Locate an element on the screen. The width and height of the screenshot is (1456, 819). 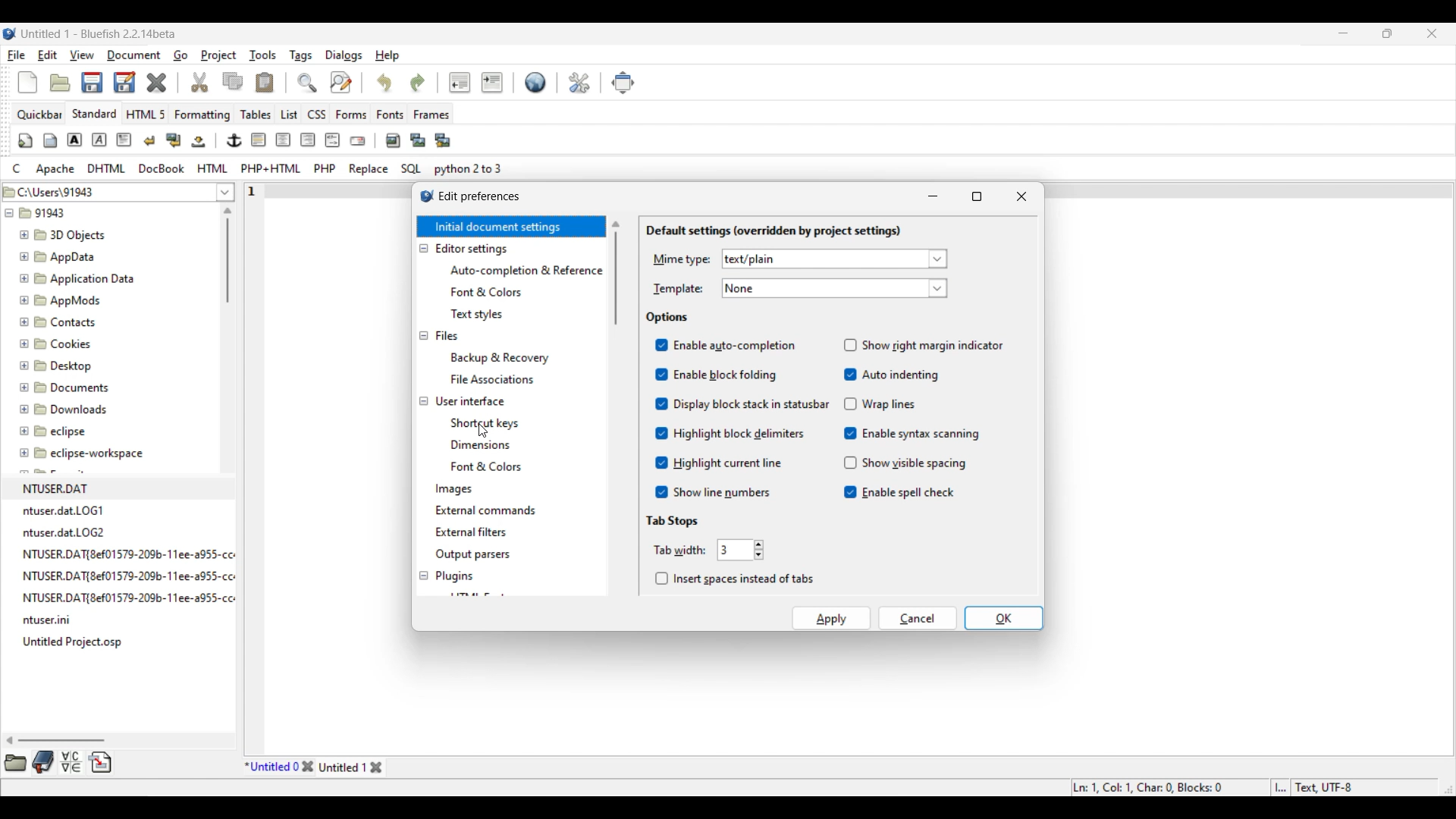
User interface setting is located at coordinates (470, 401).